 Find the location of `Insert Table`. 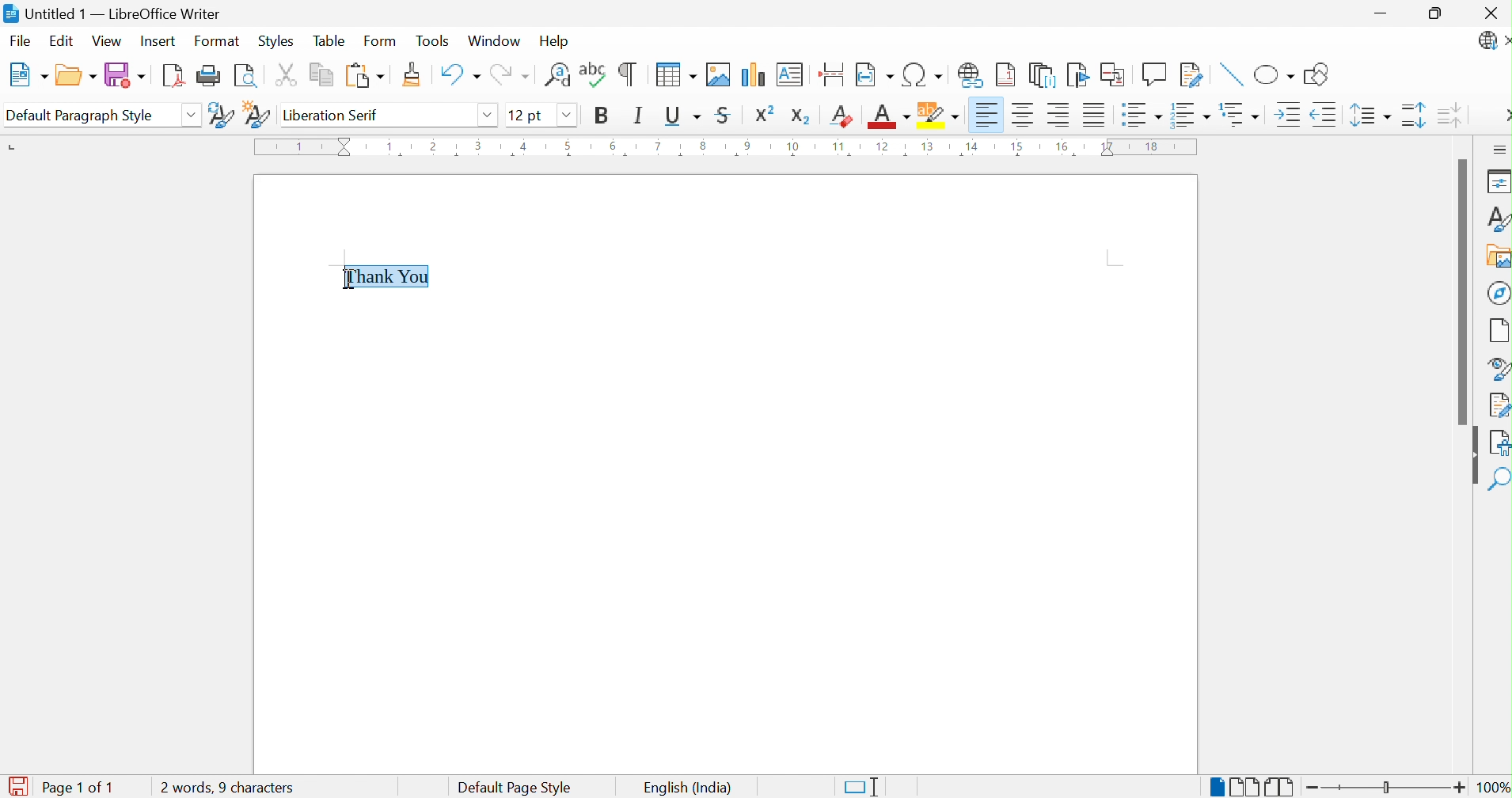

Insert Table is located at coordinates (674, 74).